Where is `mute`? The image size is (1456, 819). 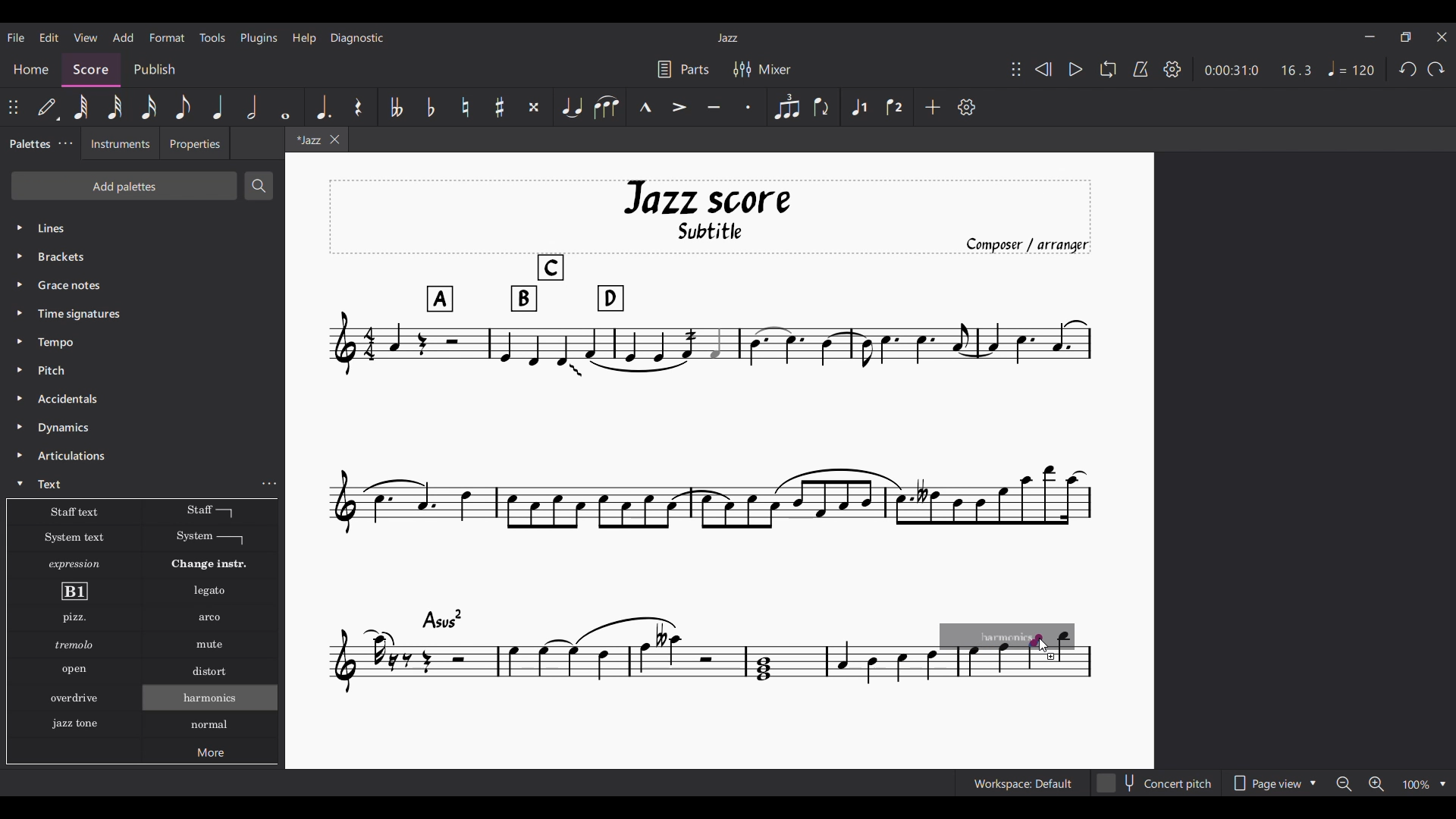
mute is located at coordinates (212, 646).